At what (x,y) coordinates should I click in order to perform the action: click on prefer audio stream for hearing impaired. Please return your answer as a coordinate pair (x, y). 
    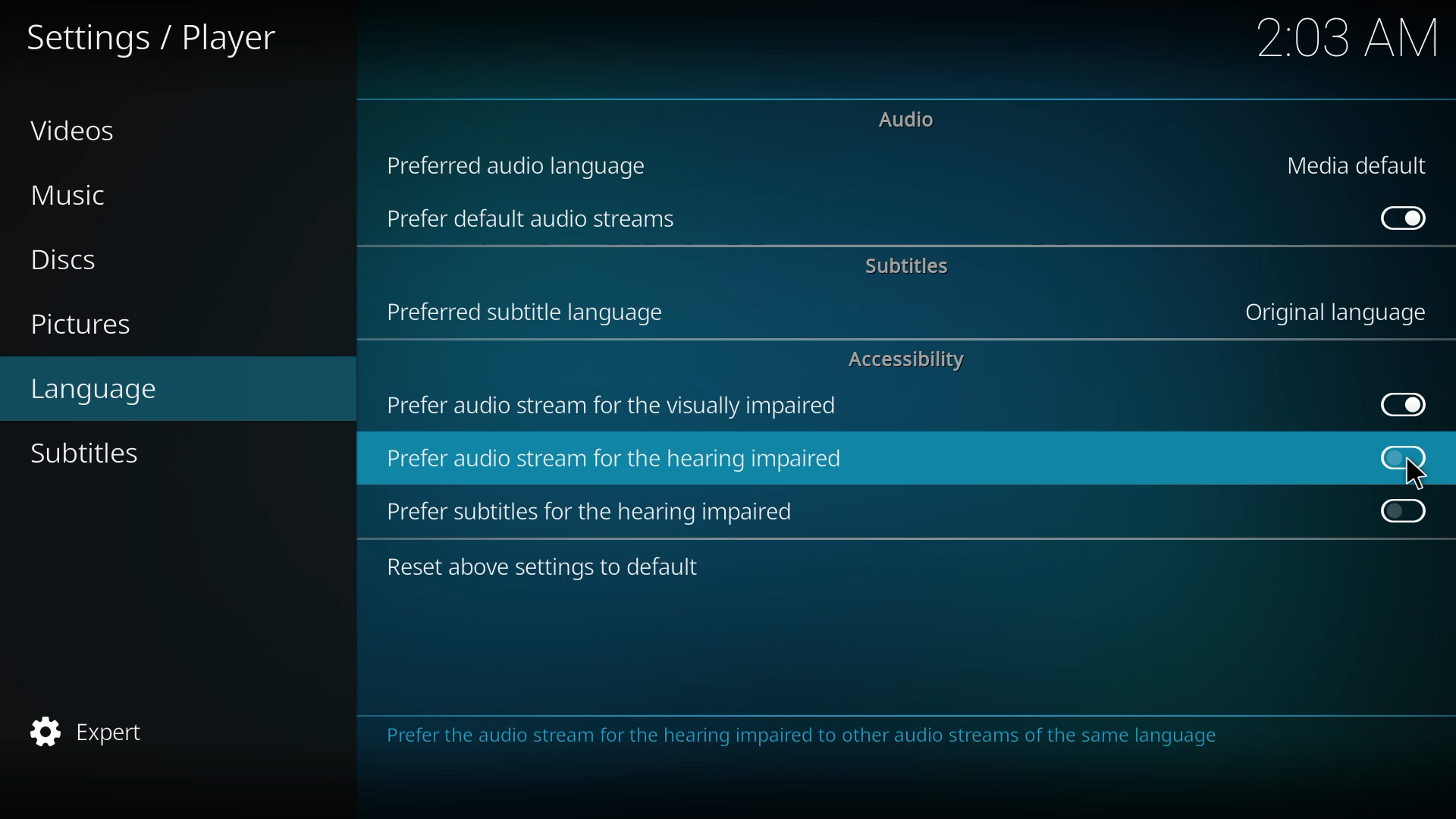
    Looking at the image, I should click on (612, 460).